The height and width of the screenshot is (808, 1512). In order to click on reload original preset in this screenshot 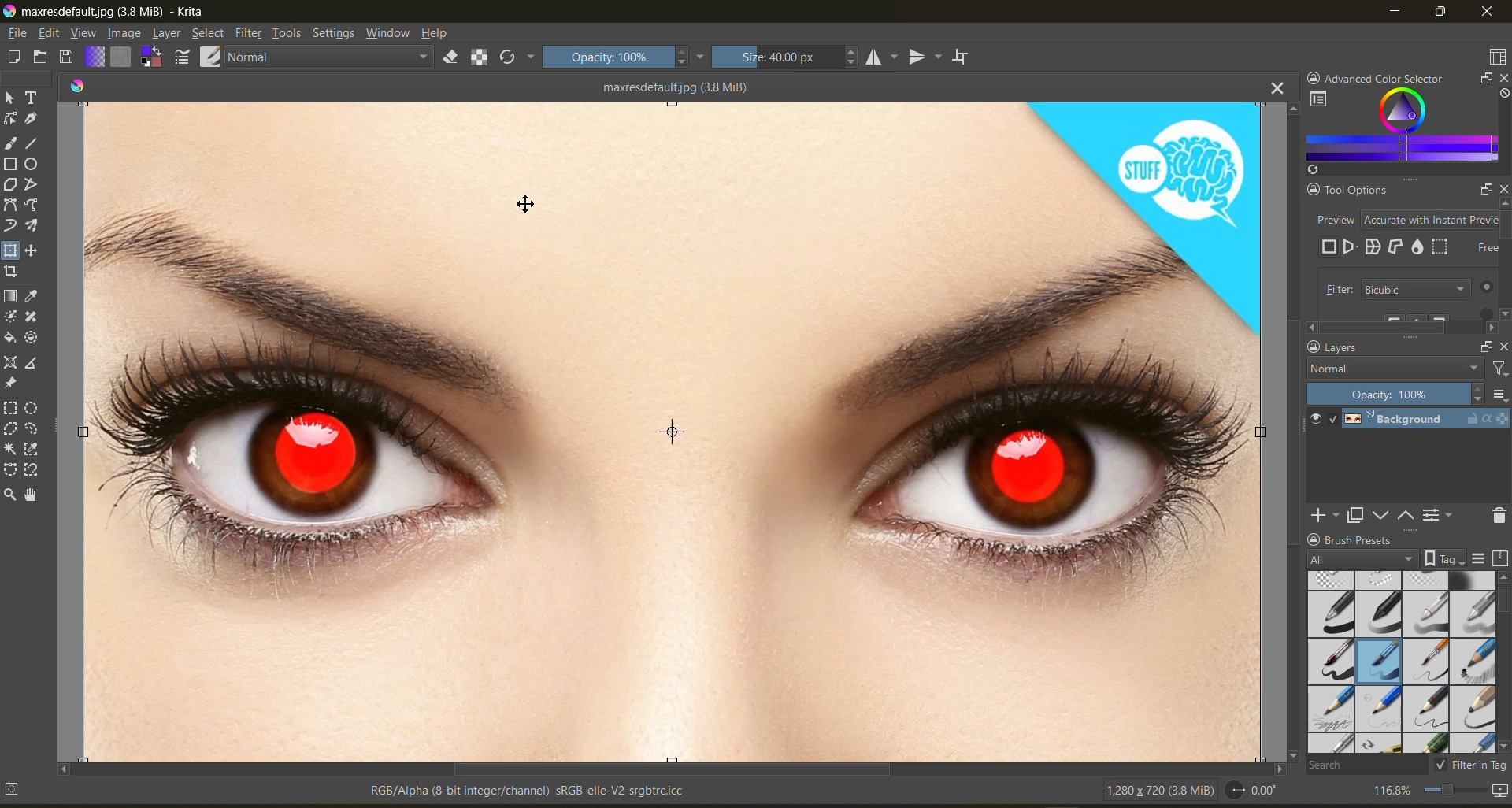, I will do `click(518, 60)`.